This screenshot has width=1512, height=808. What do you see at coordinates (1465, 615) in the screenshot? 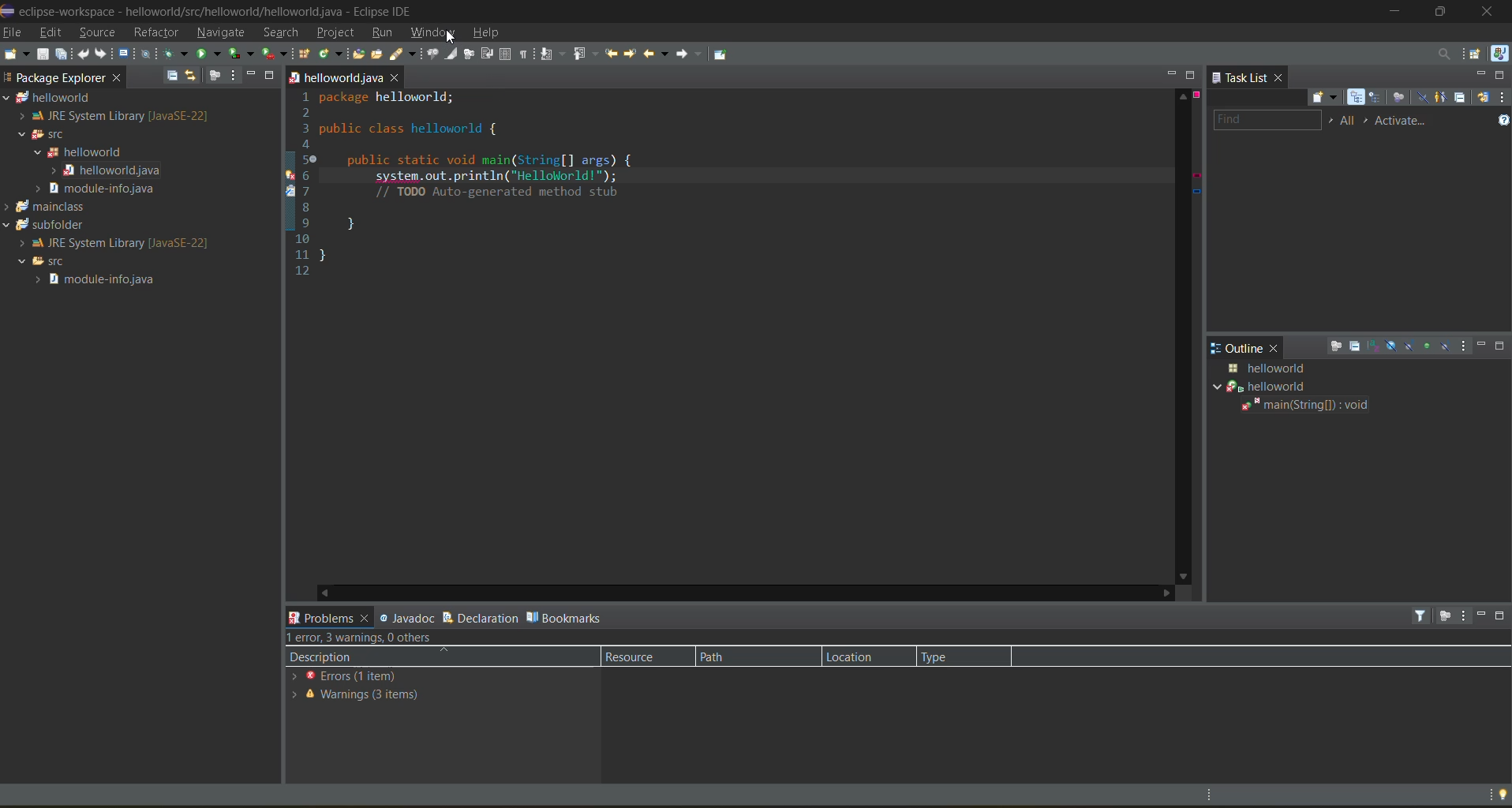
I see `view menu` at bounding box center [1465, 615].